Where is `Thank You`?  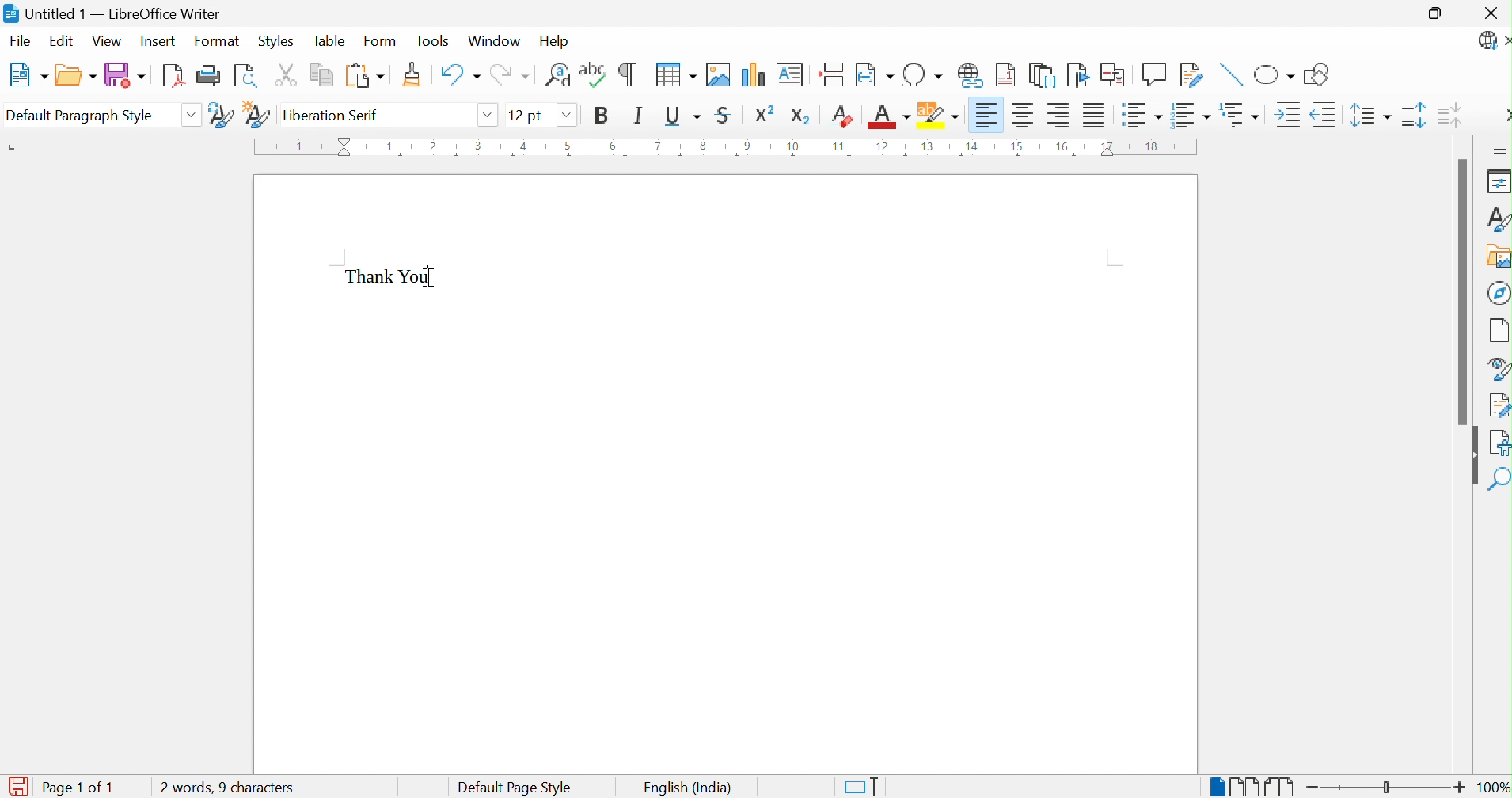
Thank You is located at coordinates (391, 277).